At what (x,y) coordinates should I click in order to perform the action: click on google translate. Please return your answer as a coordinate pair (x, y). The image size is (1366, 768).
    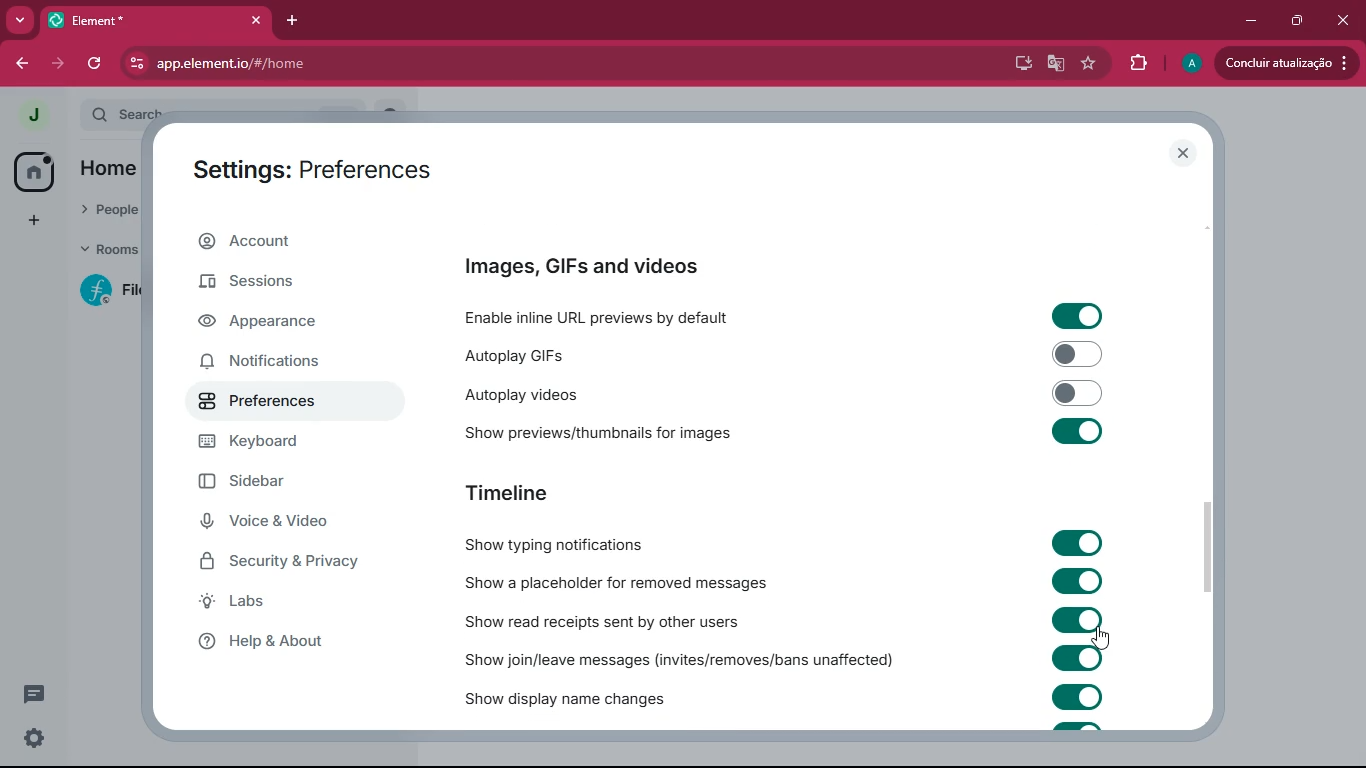
    Looking at the image, I should click on (1056, 63).